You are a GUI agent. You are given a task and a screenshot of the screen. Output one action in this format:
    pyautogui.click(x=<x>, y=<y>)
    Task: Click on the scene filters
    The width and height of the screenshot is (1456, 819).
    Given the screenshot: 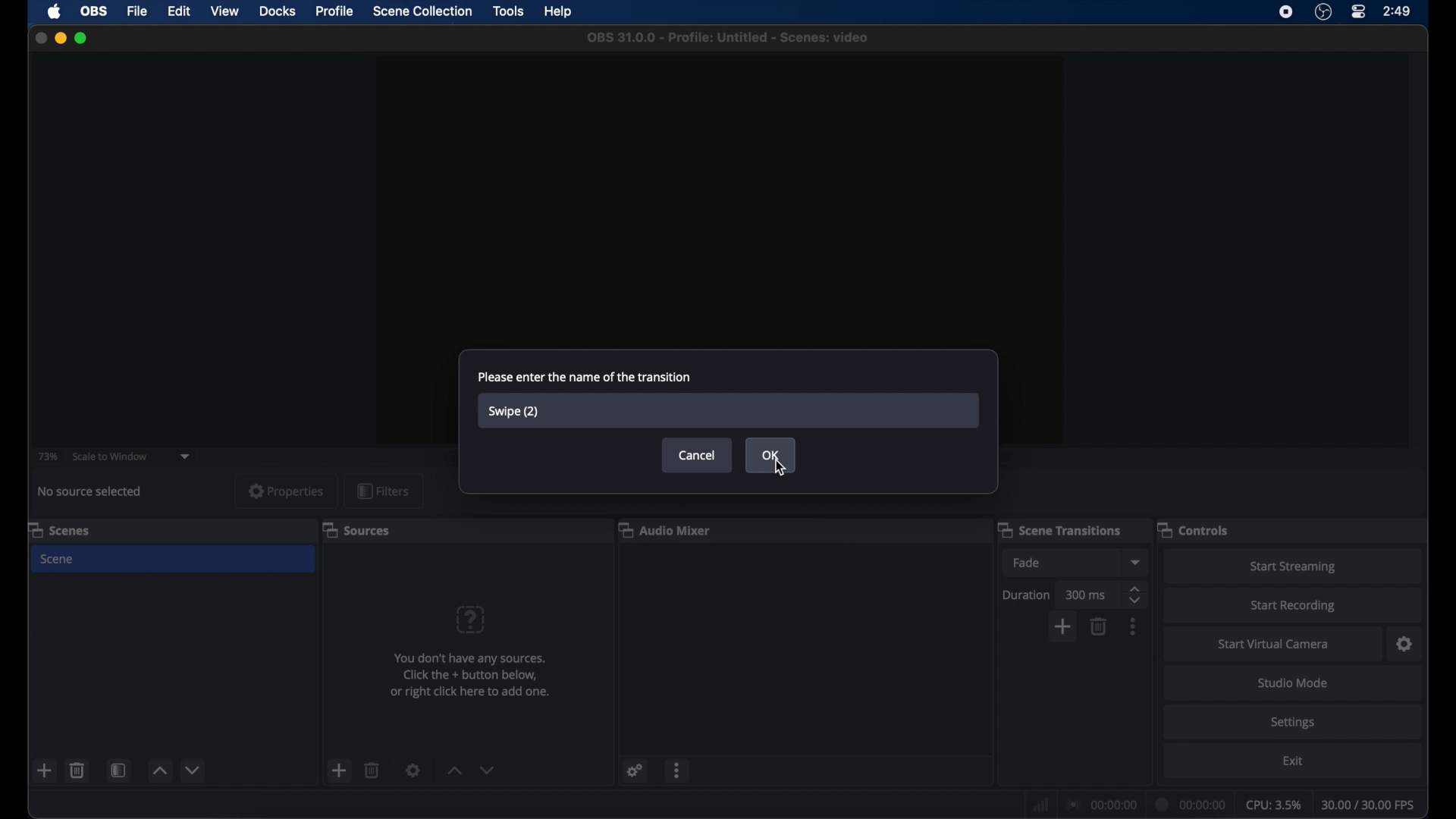 What is the action you would take?
    pyautogui.click(x=118, y=771)
    